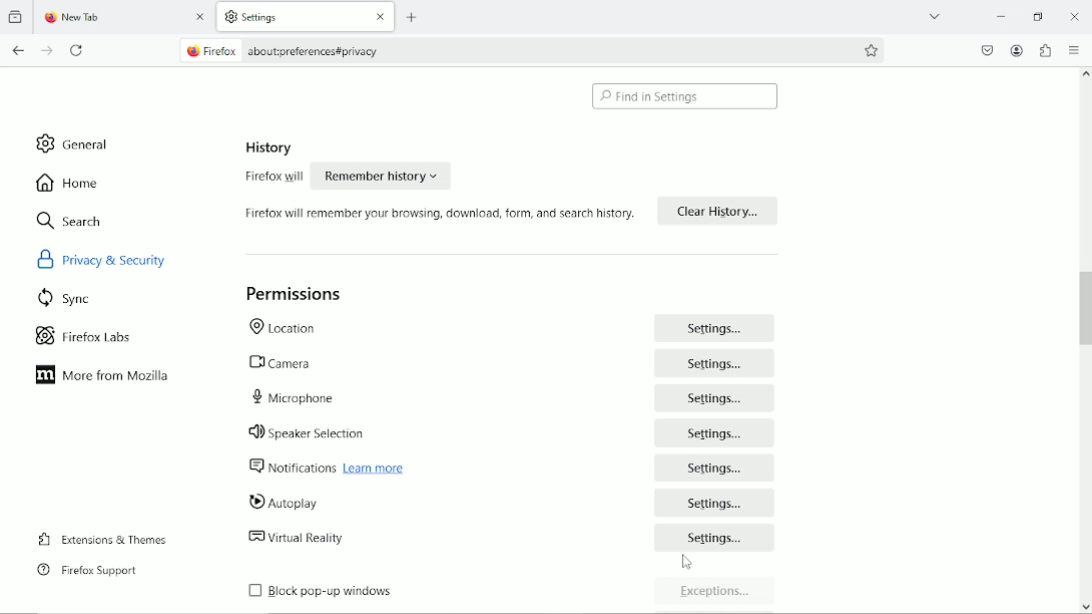 This screenshot has height=614, width=1092. What do you see at coordinates (323, 51) in the screenshot?
I see `about:oreferences#privacy` at bounding box center [323, 51].